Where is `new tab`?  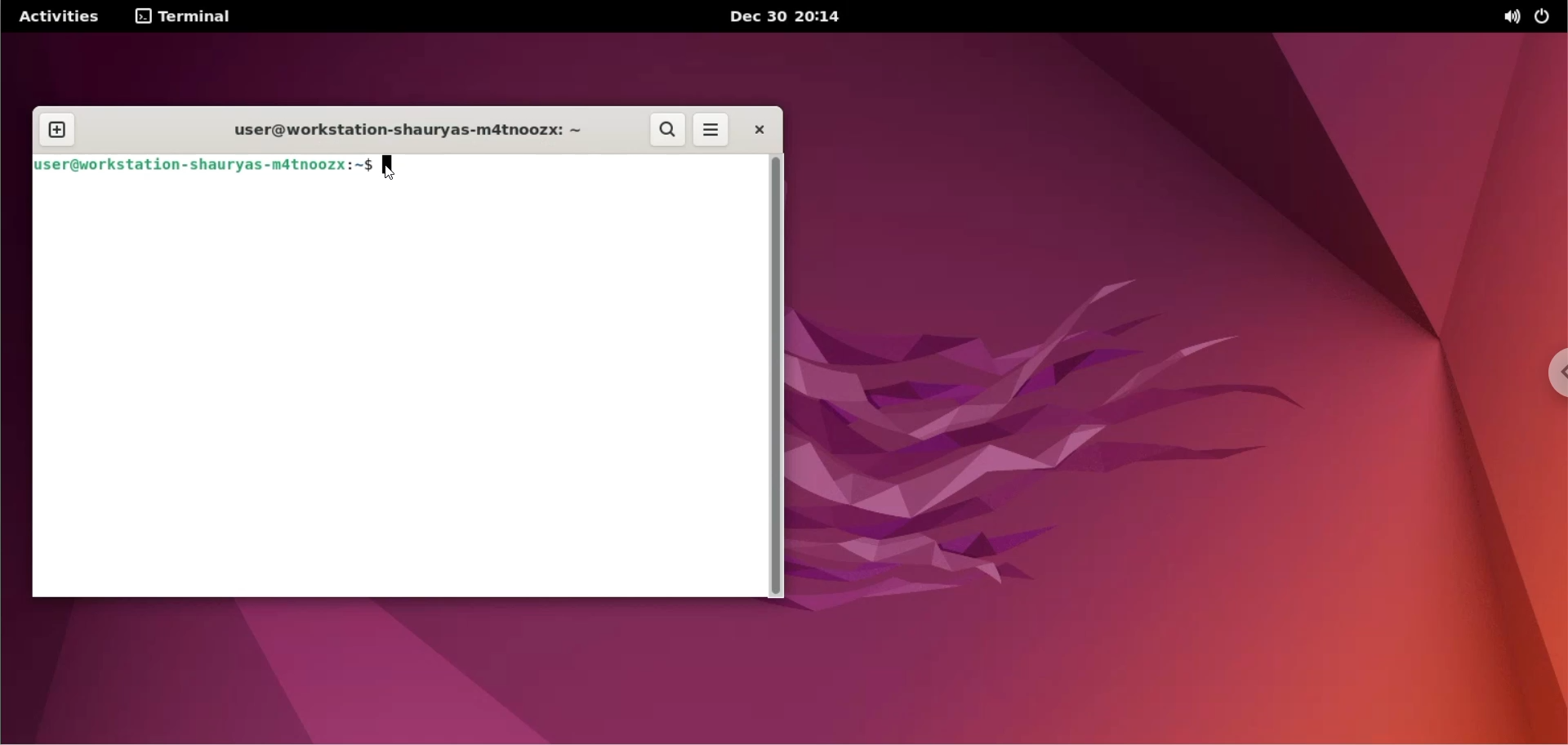
new tab is located at coordinates (56, 131).